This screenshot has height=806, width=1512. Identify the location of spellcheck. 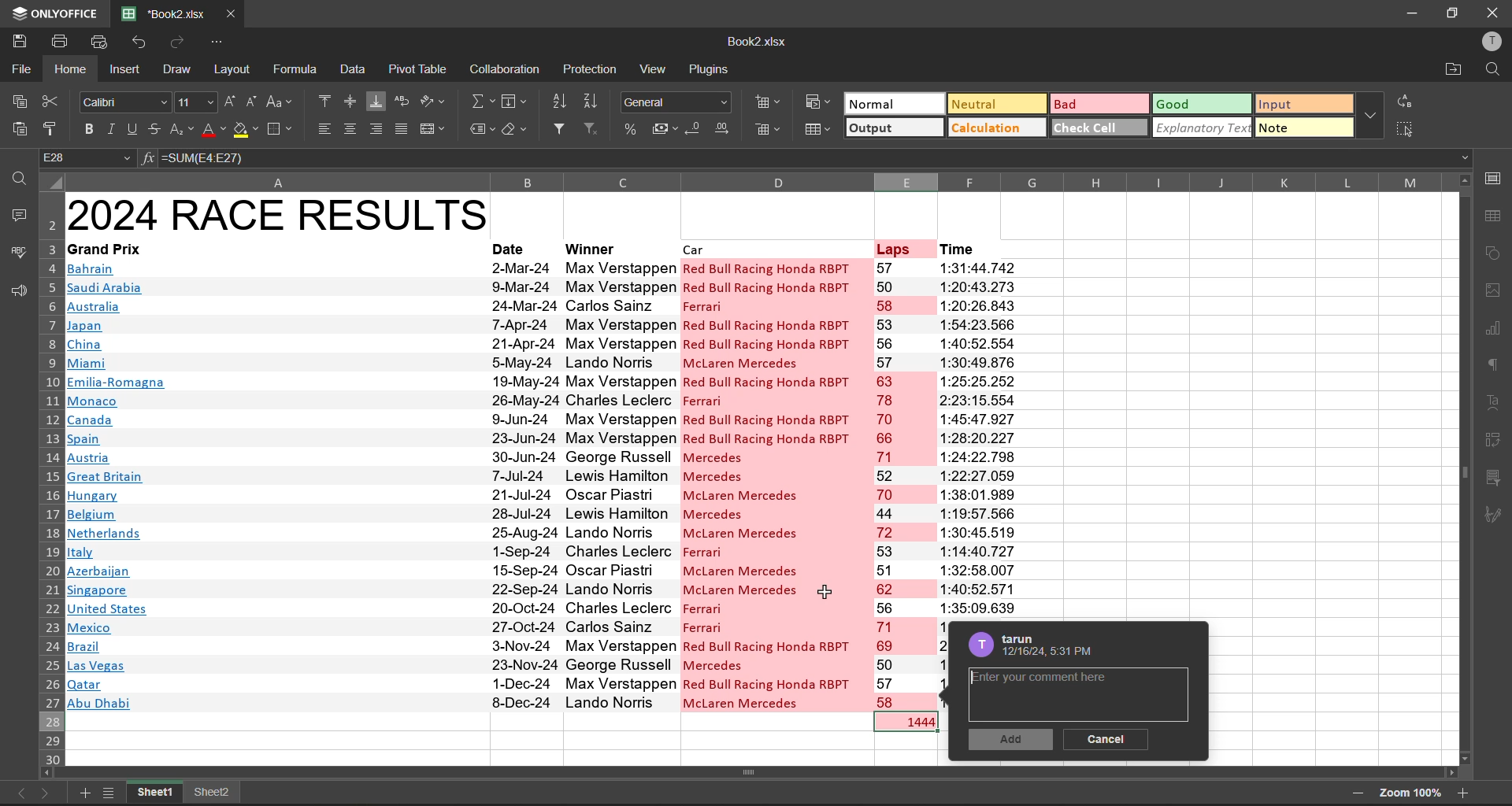
(16, 254).